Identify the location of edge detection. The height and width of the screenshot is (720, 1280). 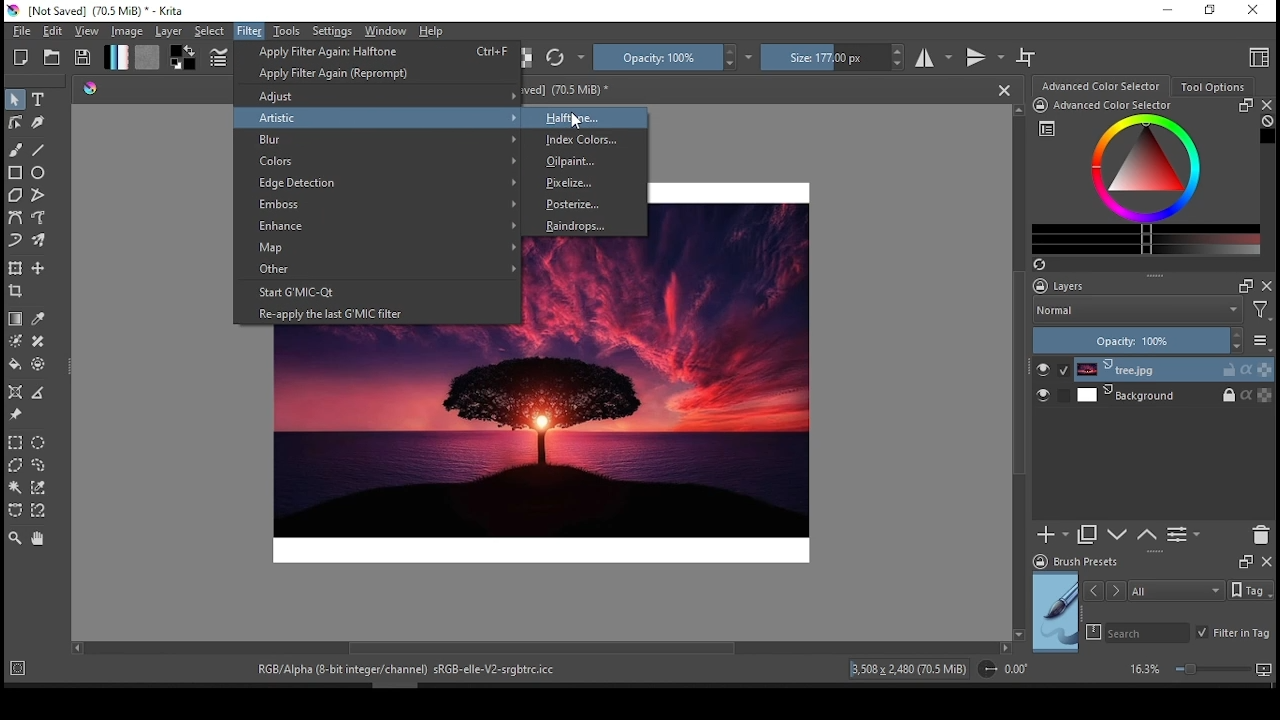
(379, 182).